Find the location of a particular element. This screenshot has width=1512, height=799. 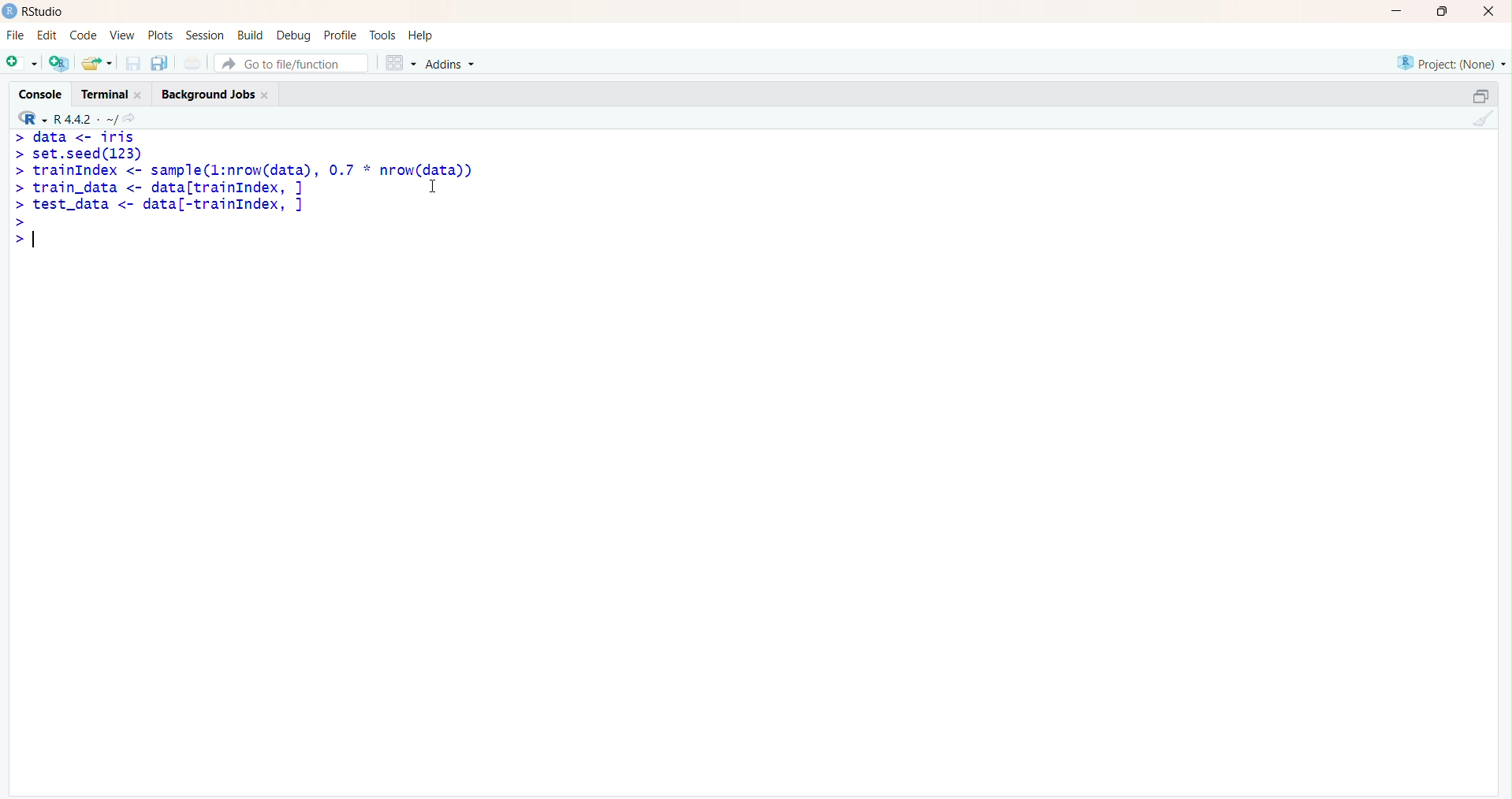

Addins is located at coordinates (452, 62).